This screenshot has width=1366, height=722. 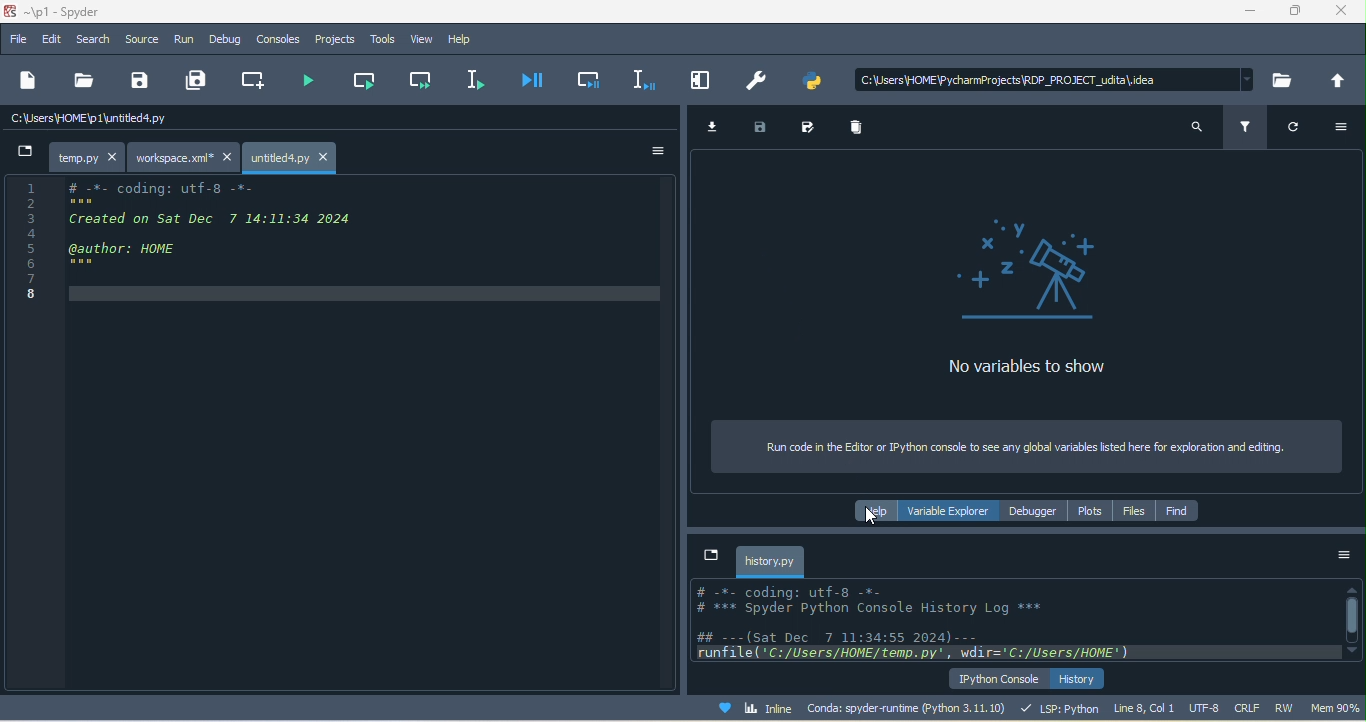 What do you see at coordinates (872, 517) in the screenshot?
I see `cursor` at bounding box center [872, 517].